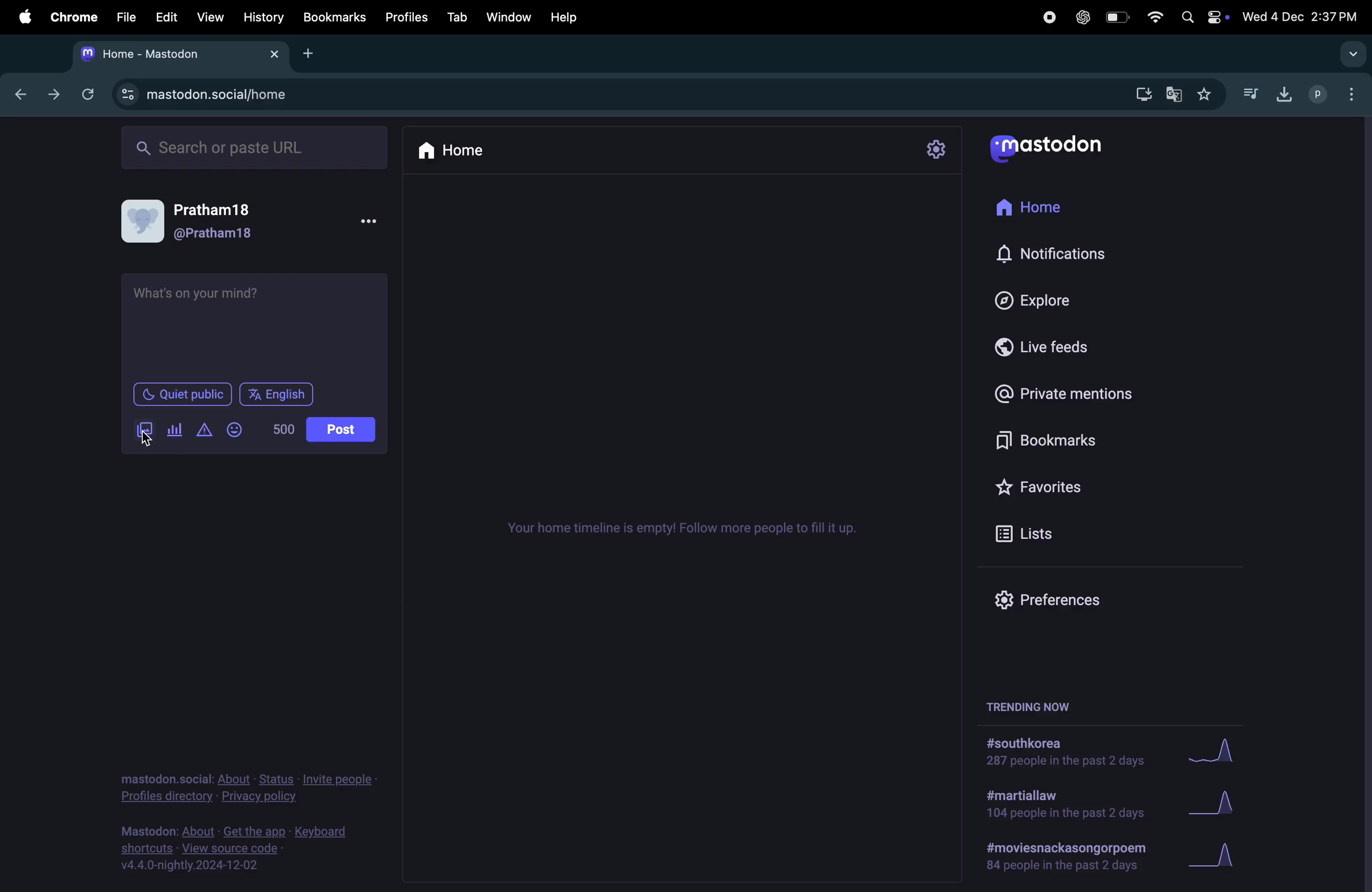 This screenshot has width=1372, height=892. Describe the element at coordinates (256, 145) in the screenshot. I see `search url` at that location.